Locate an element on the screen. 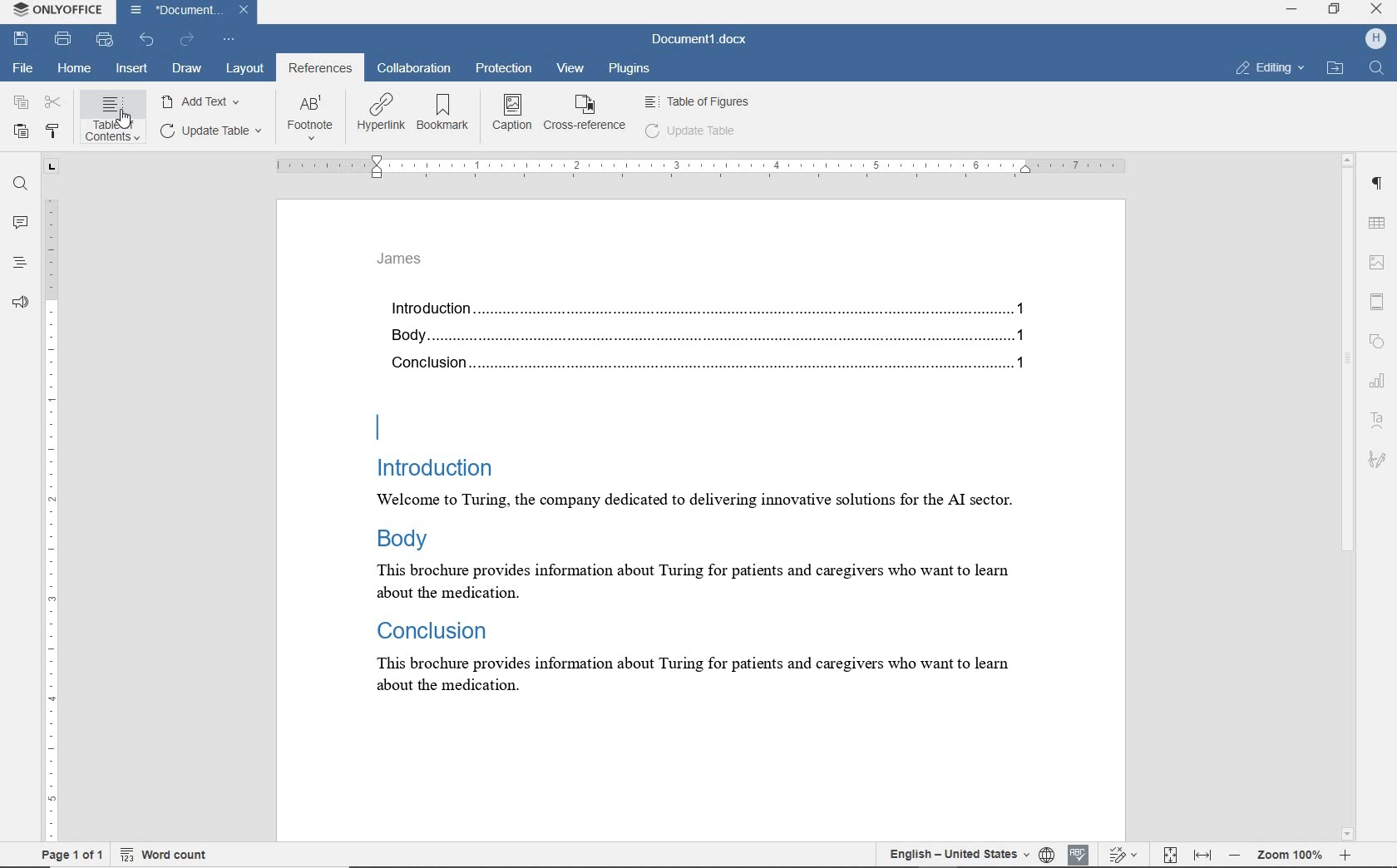  protection is located at coordinates (504, 68).